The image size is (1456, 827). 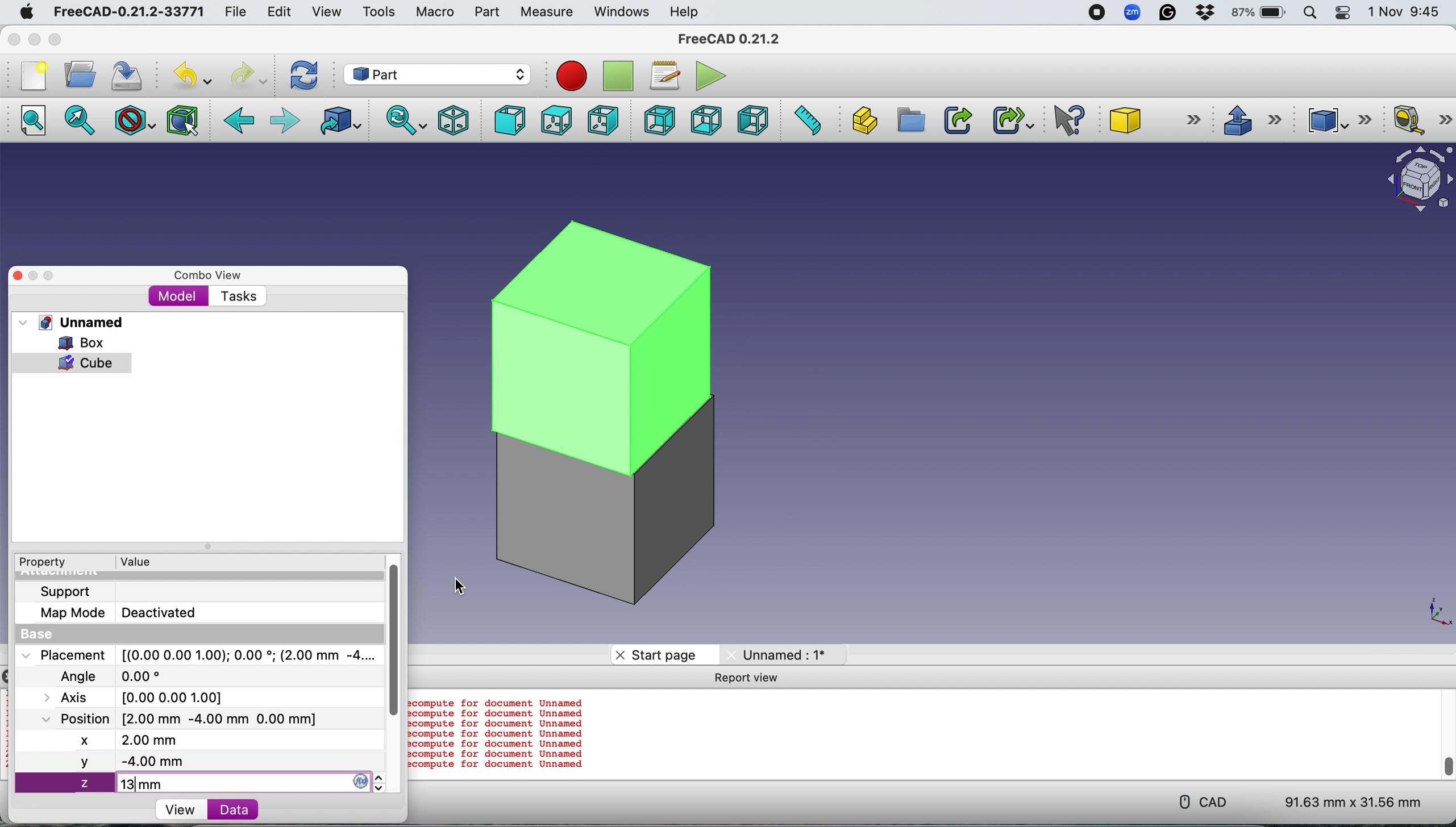 I want to click on Report view, so click(x=748, y=678).